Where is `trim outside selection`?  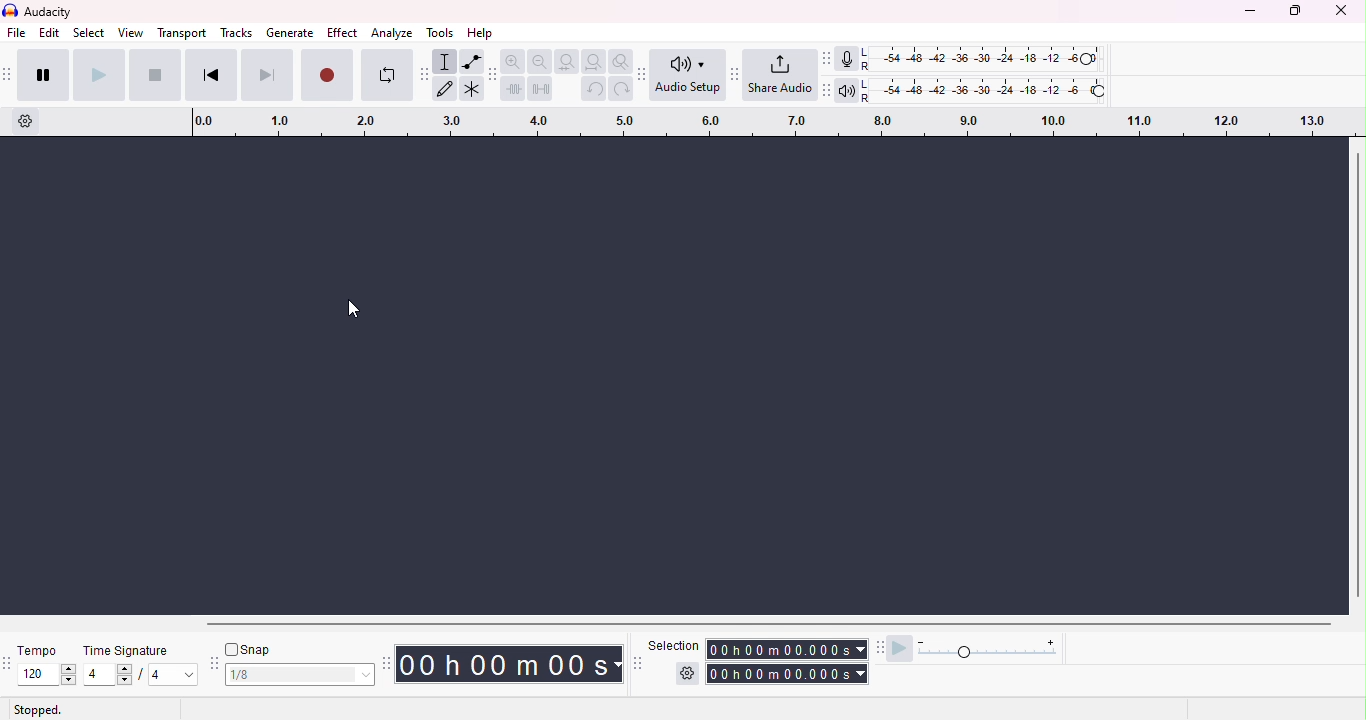
trim outside selection is located at coordinates (516, 88).